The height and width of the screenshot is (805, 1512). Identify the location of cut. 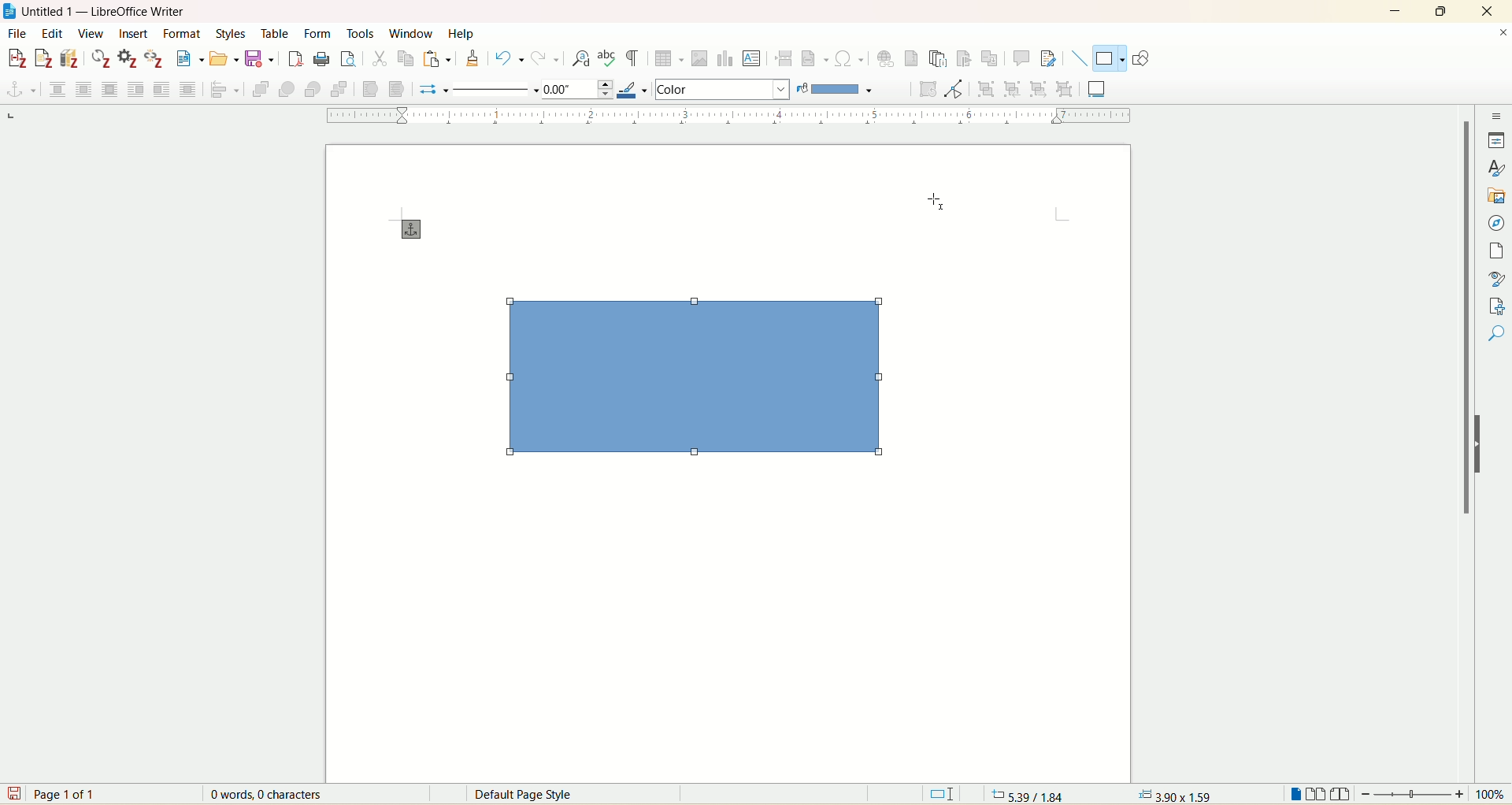
(379, 61).